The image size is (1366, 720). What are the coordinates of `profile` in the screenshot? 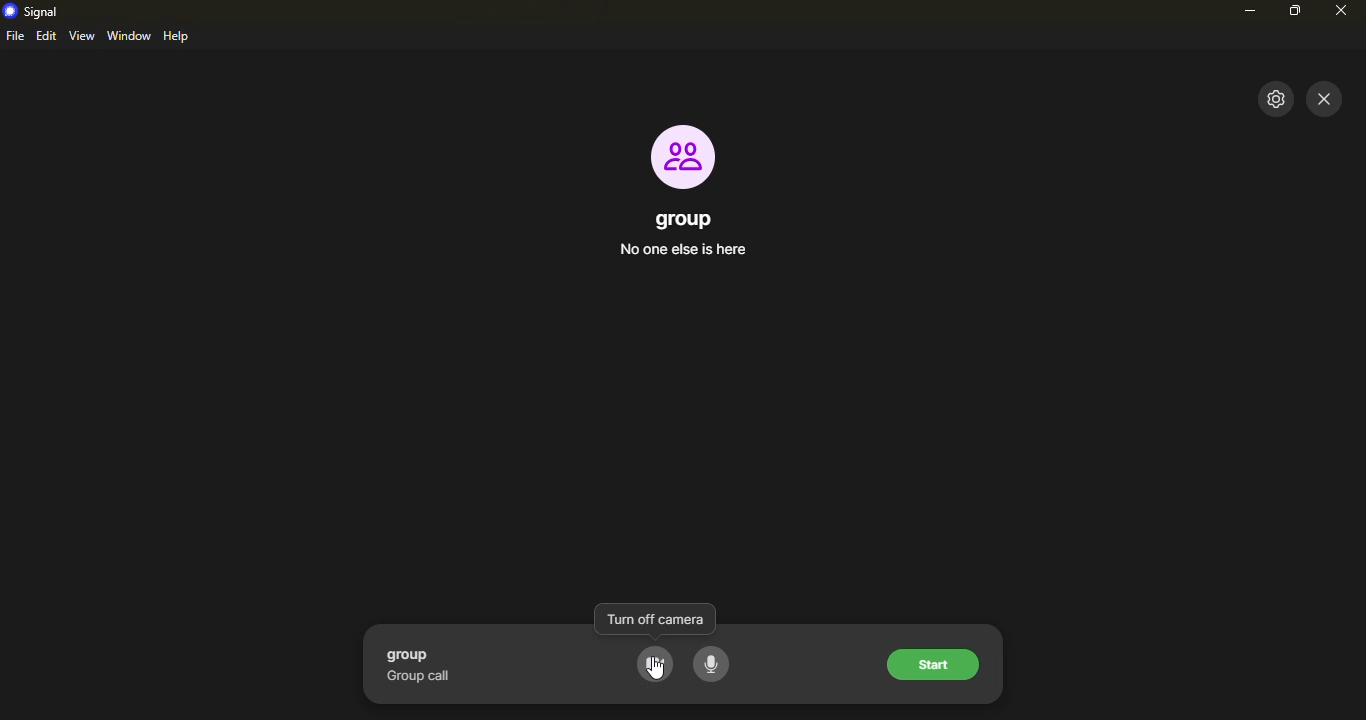 It's located at (683, 159).